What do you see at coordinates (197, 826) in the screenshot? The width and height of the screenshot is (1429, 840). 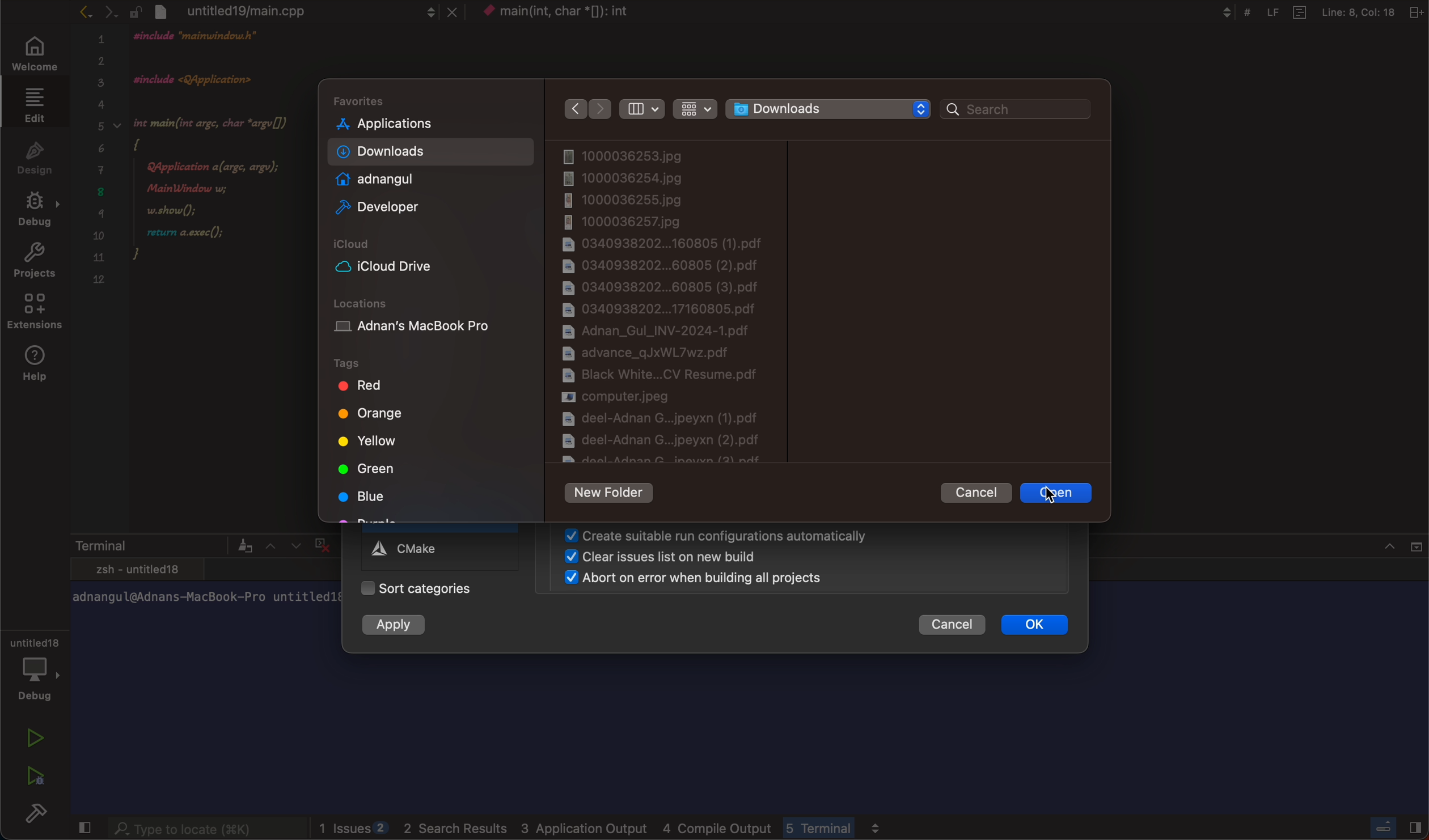 I see `searchbar` at bounding box center [197, 826].